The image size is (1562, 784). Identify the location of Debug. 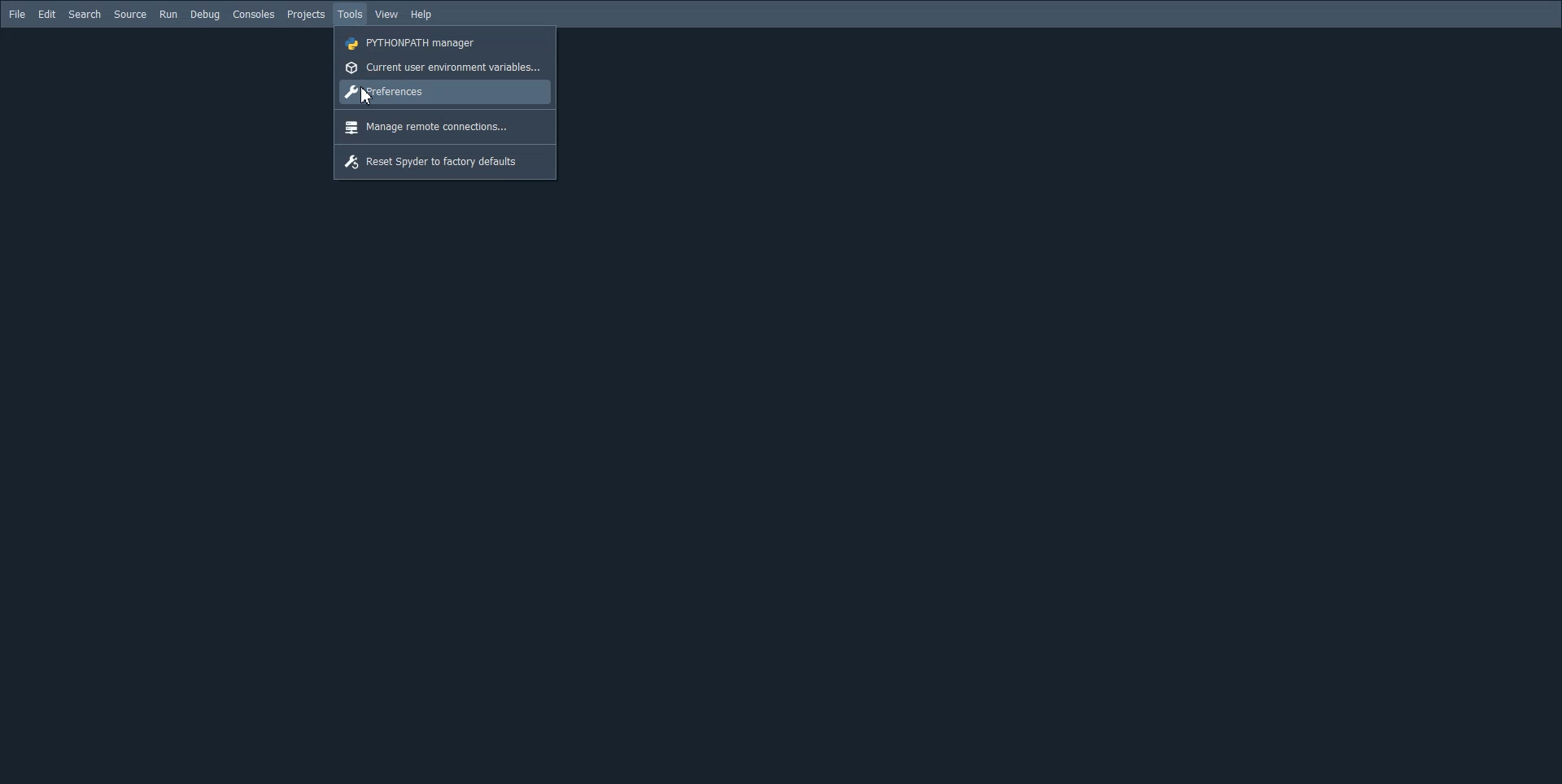
(205, 15).